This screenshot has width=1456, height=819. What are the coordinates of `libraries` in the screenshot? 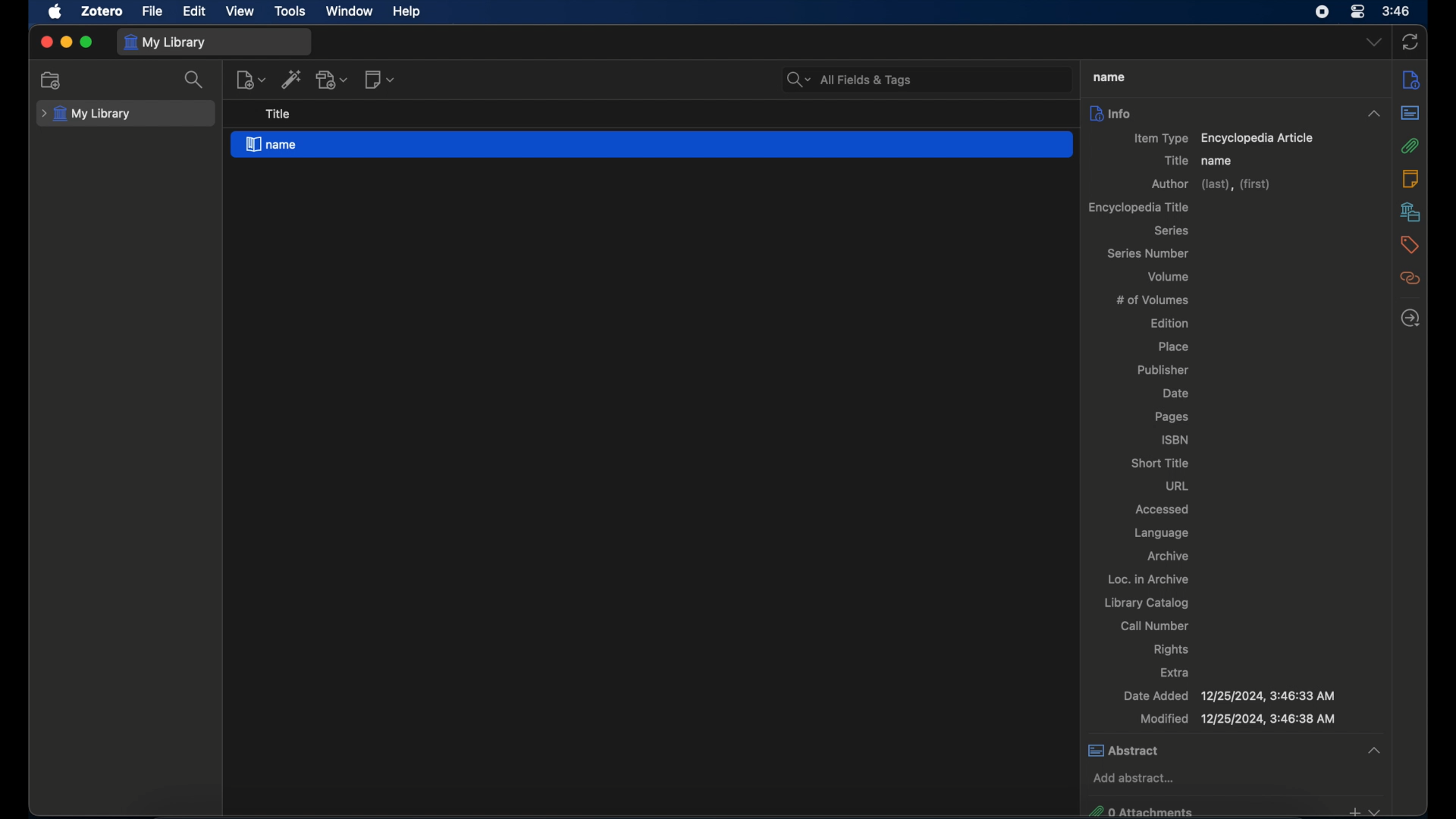 It's located at (1410, 212).